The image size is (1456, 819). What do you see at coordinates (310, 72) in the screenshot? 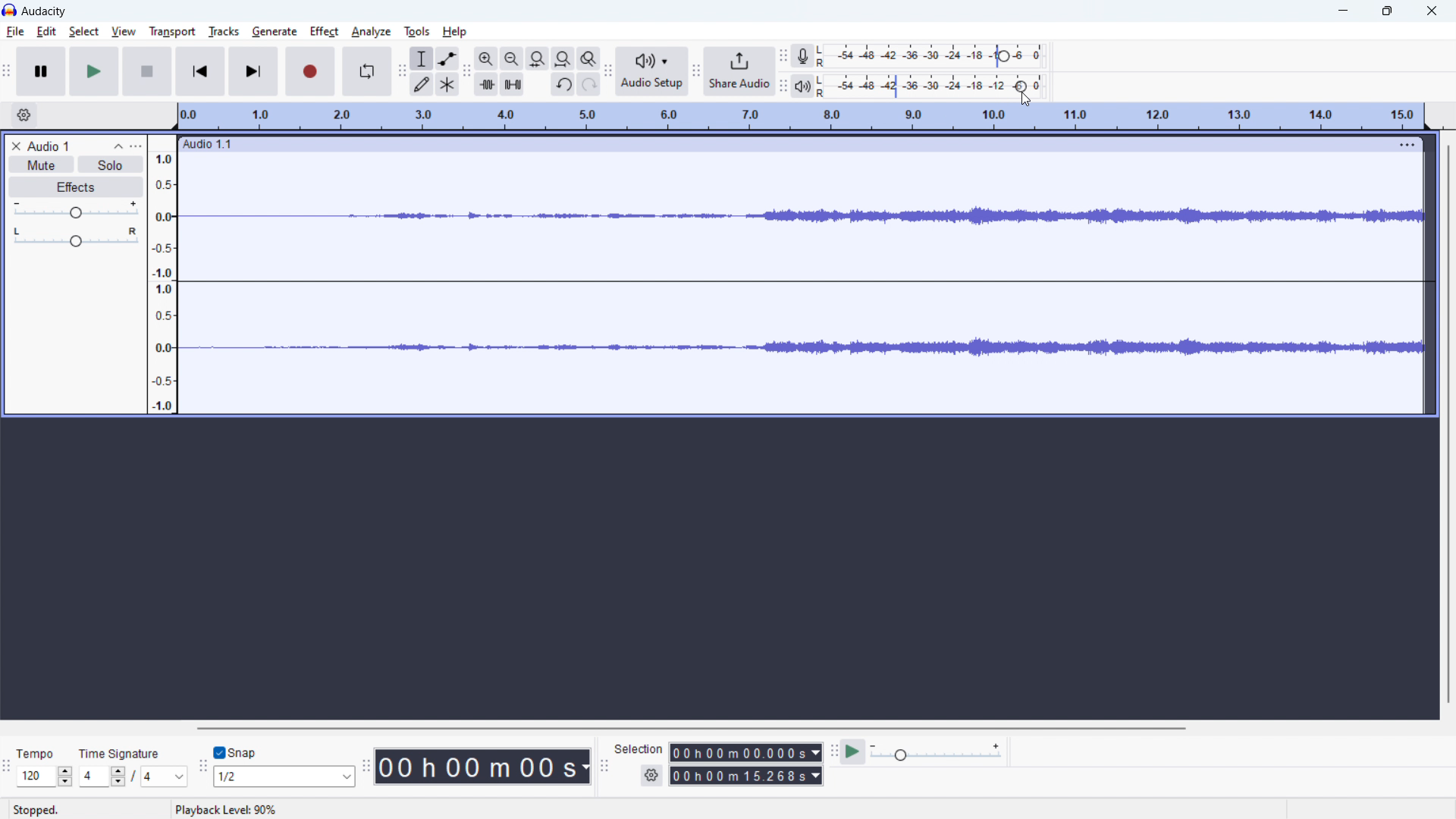
I see `record` at bounding box center [310, 72].